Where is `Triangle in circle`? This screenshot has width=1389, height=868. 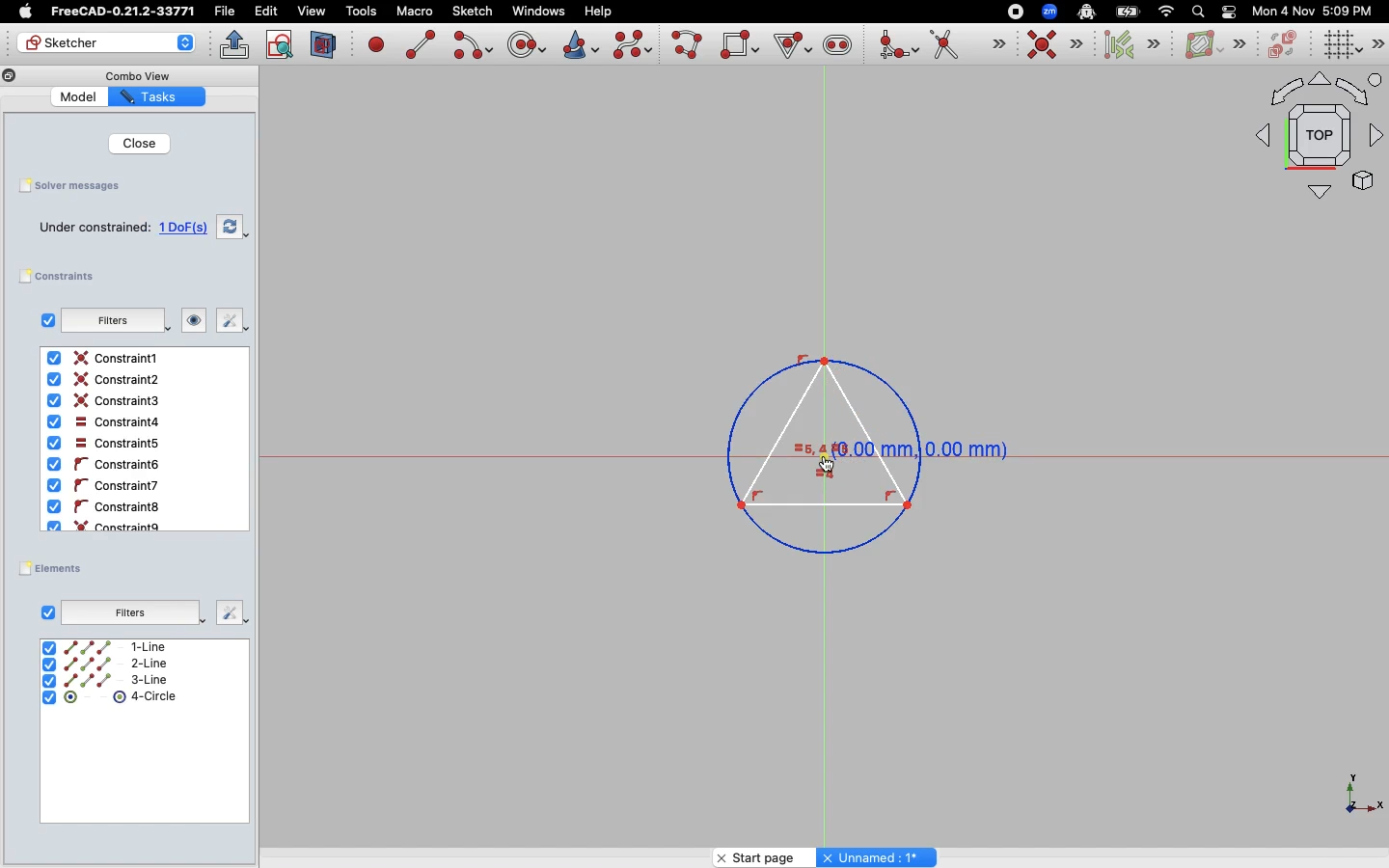 Triangle in circle is located at coordinates (843, 446).